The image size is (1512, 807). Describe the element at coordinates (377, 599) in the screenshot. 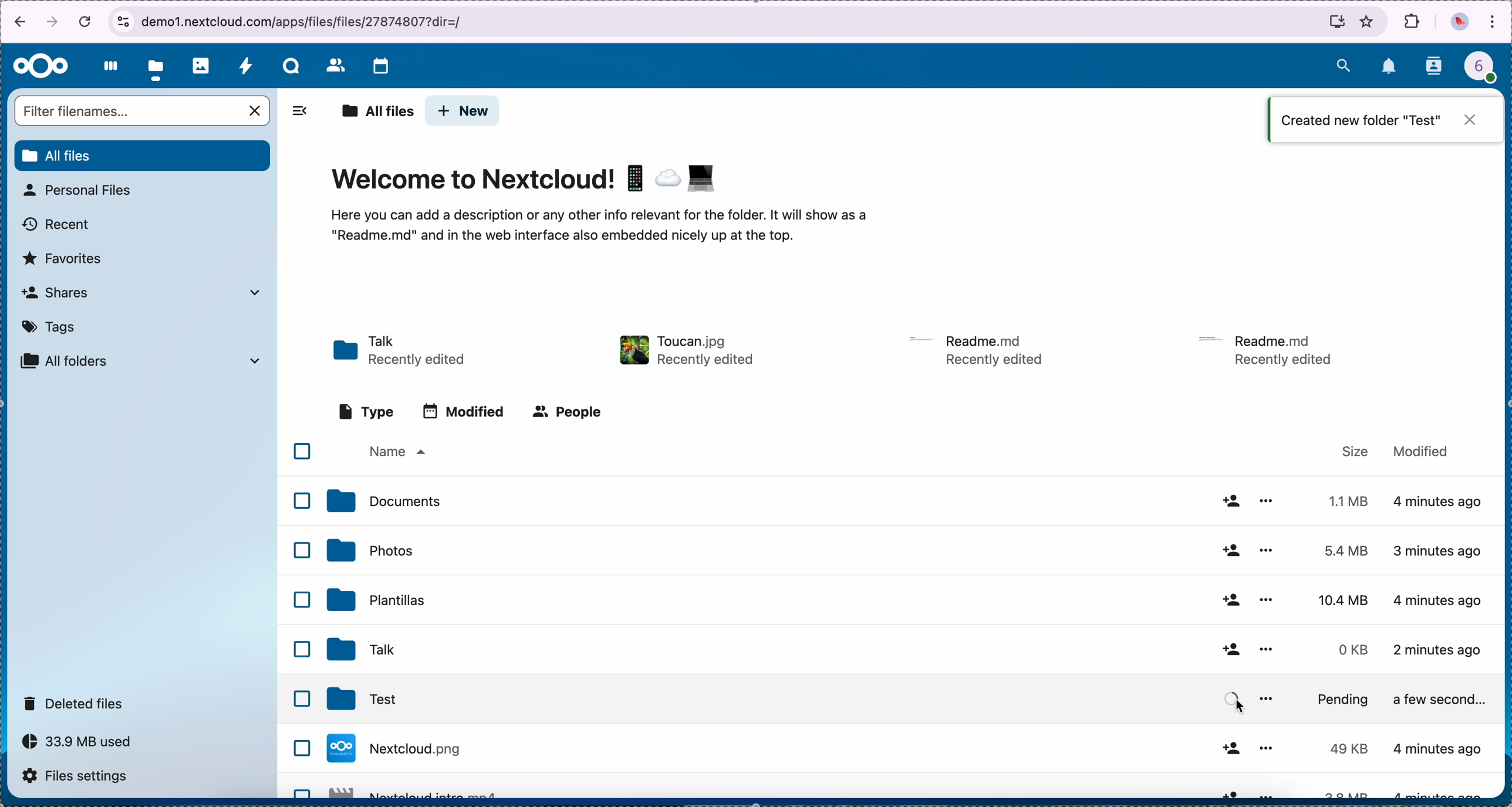

I see `templates` at that location.